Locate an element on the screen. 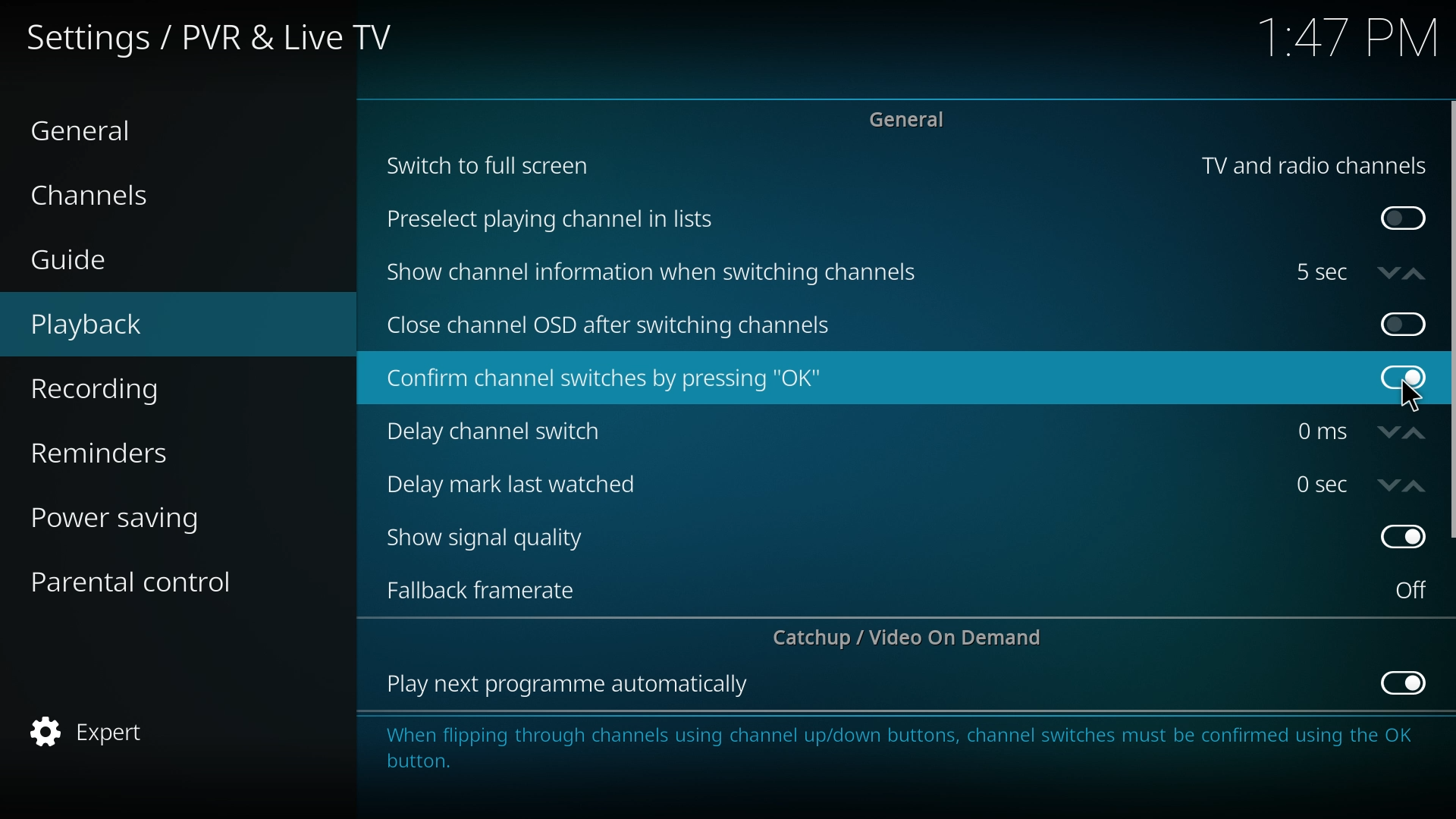 The image size is (1456, 819). channels is located at coordinates (121, 193).